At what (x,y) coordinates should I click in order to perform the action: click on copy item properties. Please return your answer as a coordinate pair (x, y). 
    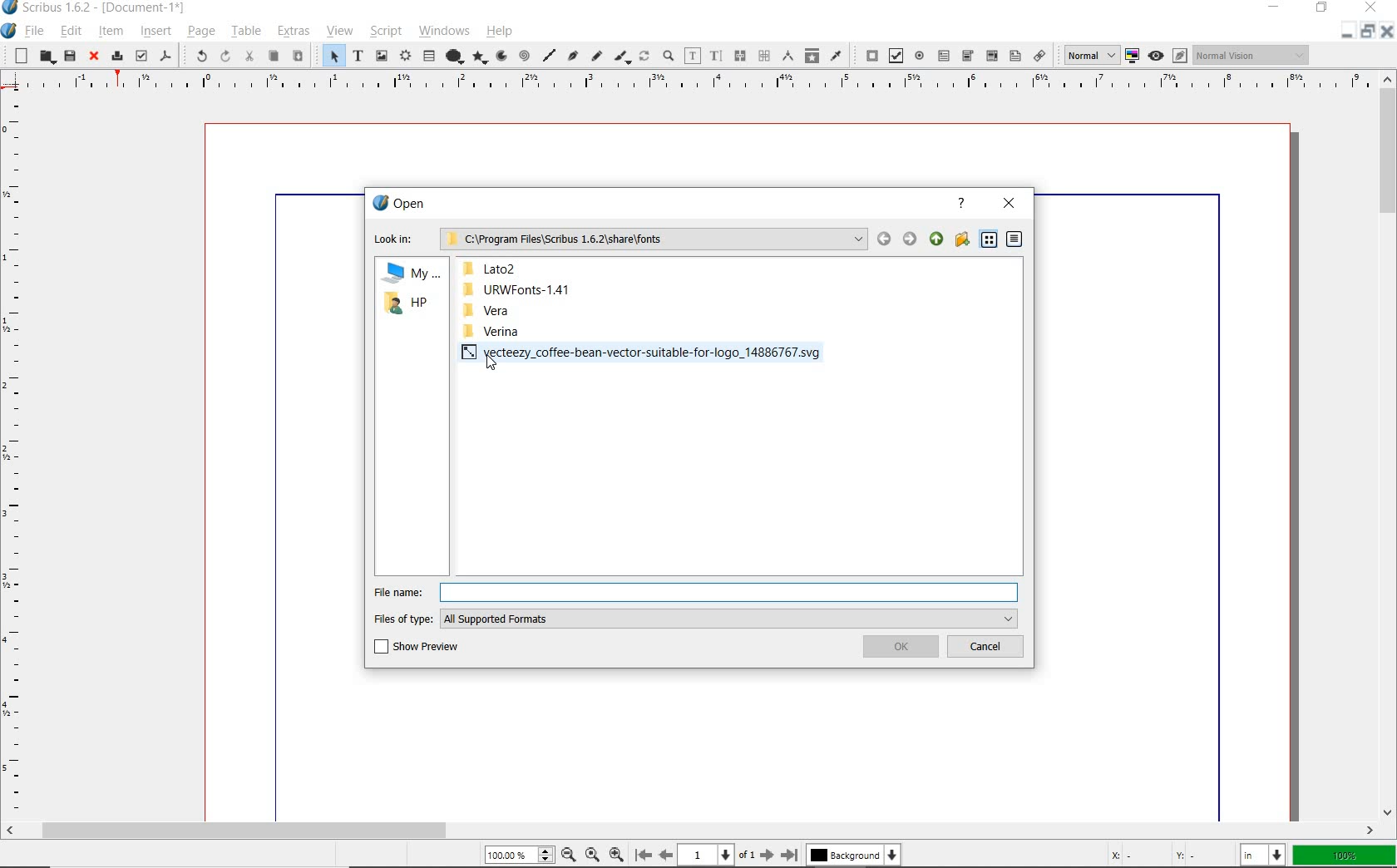
    Looking at the image, I should click on (811, 55).